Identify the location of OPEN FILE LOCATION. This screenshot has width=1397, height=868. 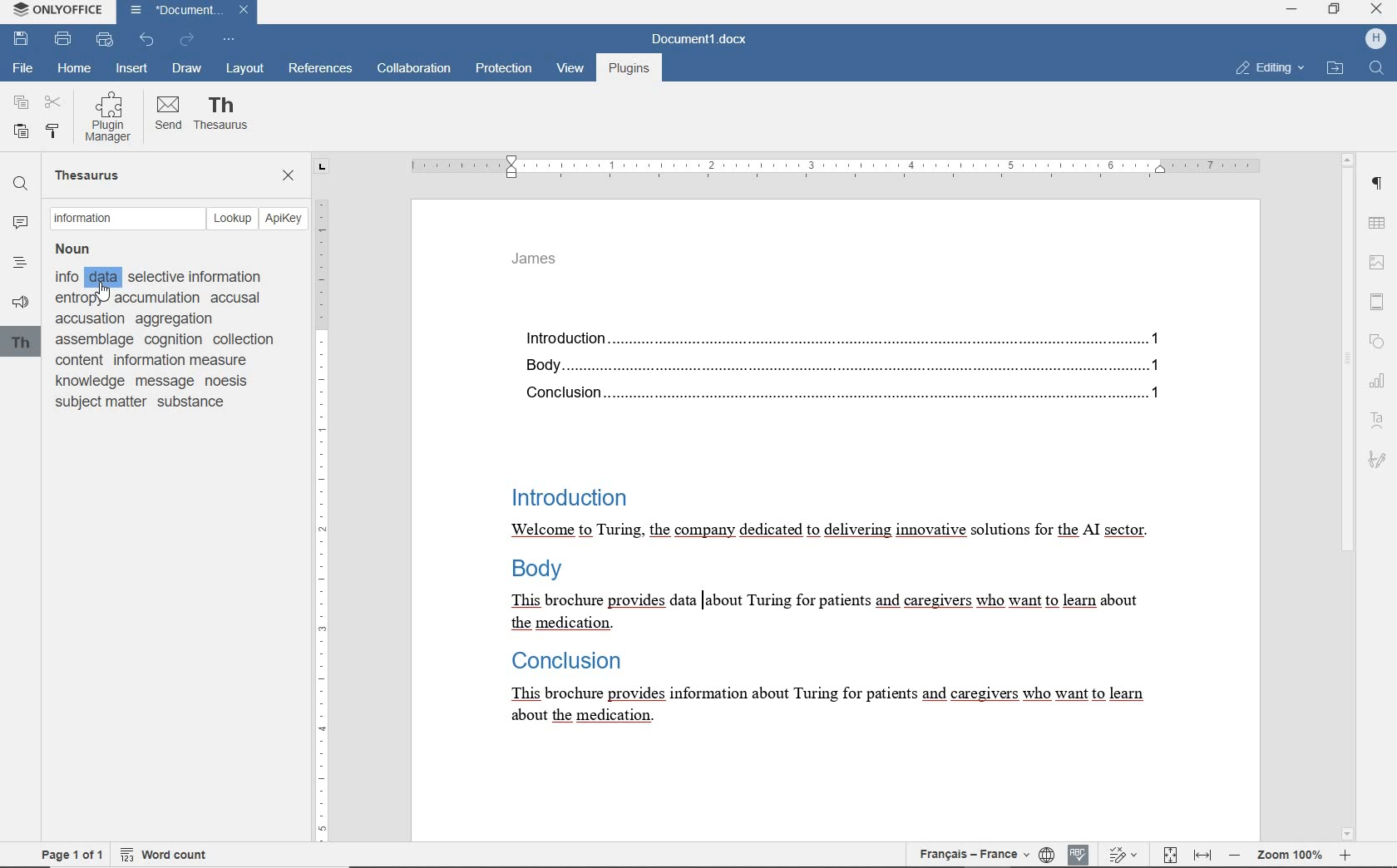
(1335, 70).